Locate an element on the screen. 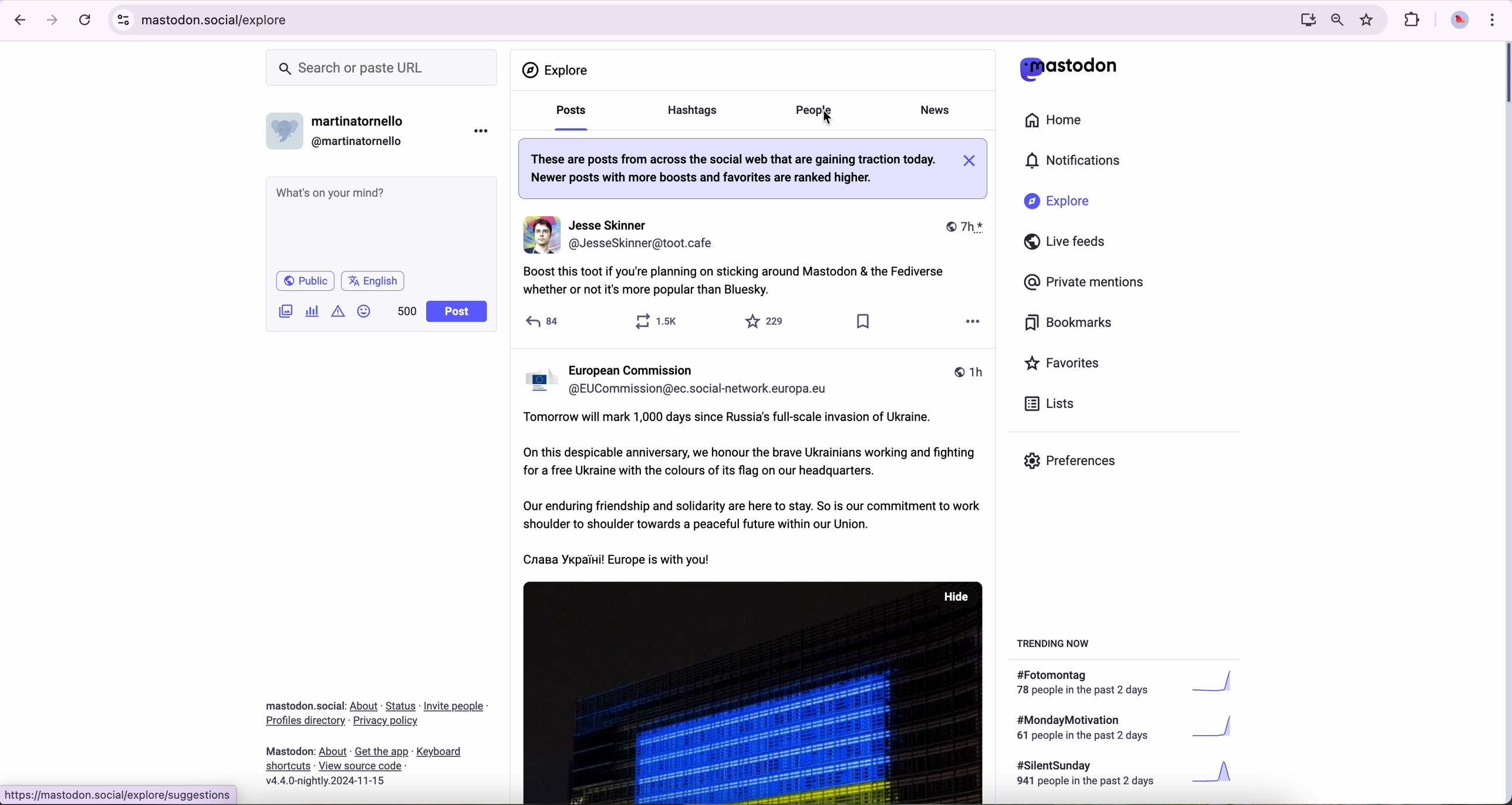 The image size is (1512, 805). notifications is located at coordinates (1078, 161).